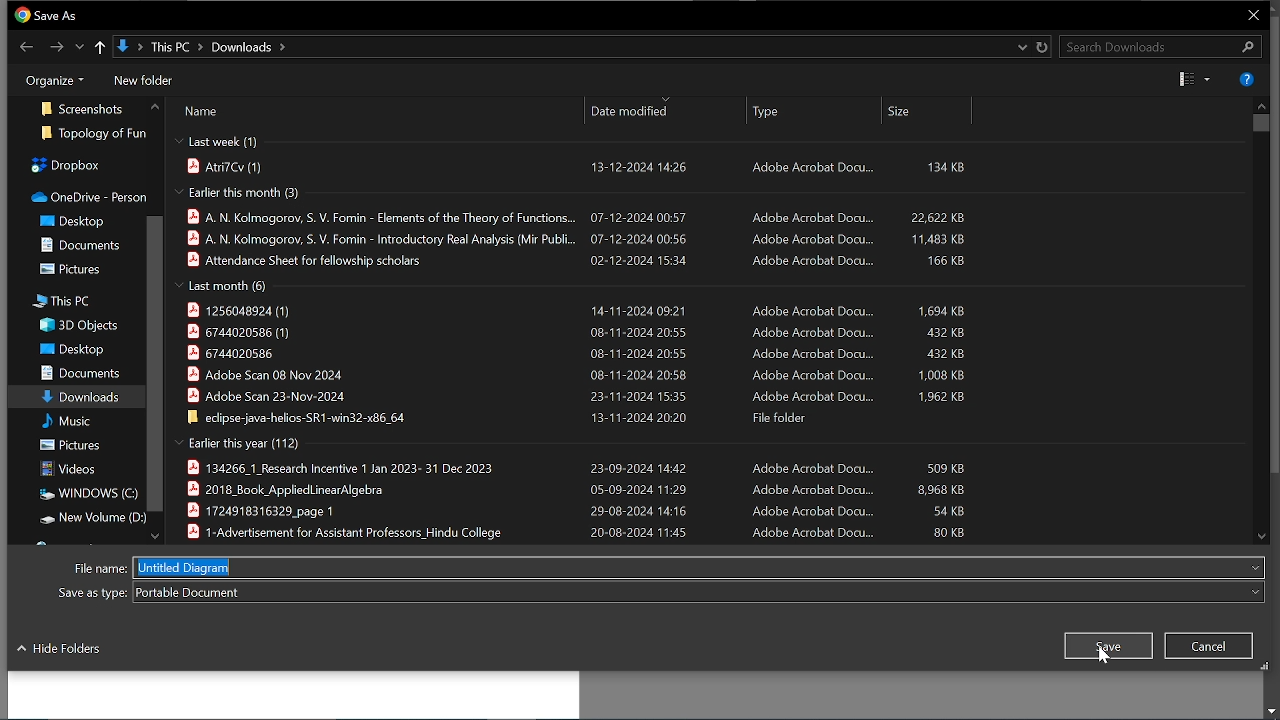  Describe the element at coordinates (240, 442) in the screenshot. I see `Earlier this year (112)` at that location.